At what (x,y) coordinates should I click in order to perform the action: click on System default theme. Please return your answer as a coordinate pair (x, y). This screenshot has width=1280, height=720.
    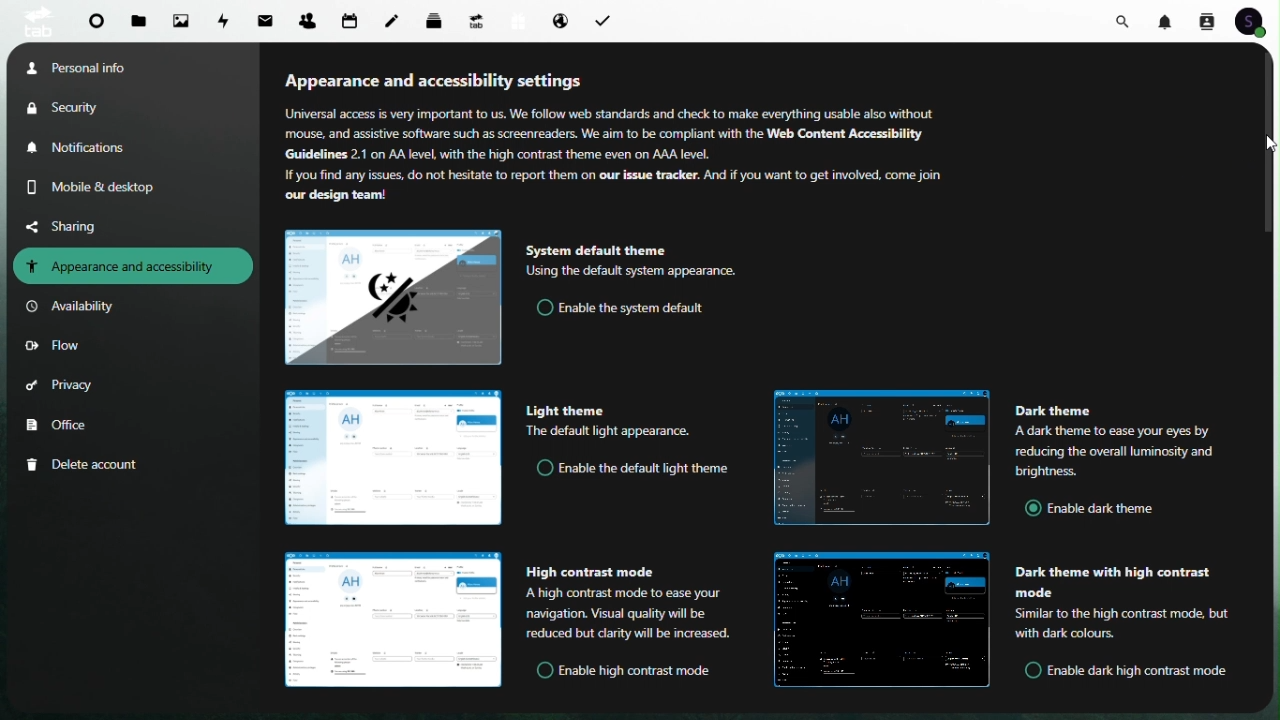
    Looking at the image, I should click on (602, 250).